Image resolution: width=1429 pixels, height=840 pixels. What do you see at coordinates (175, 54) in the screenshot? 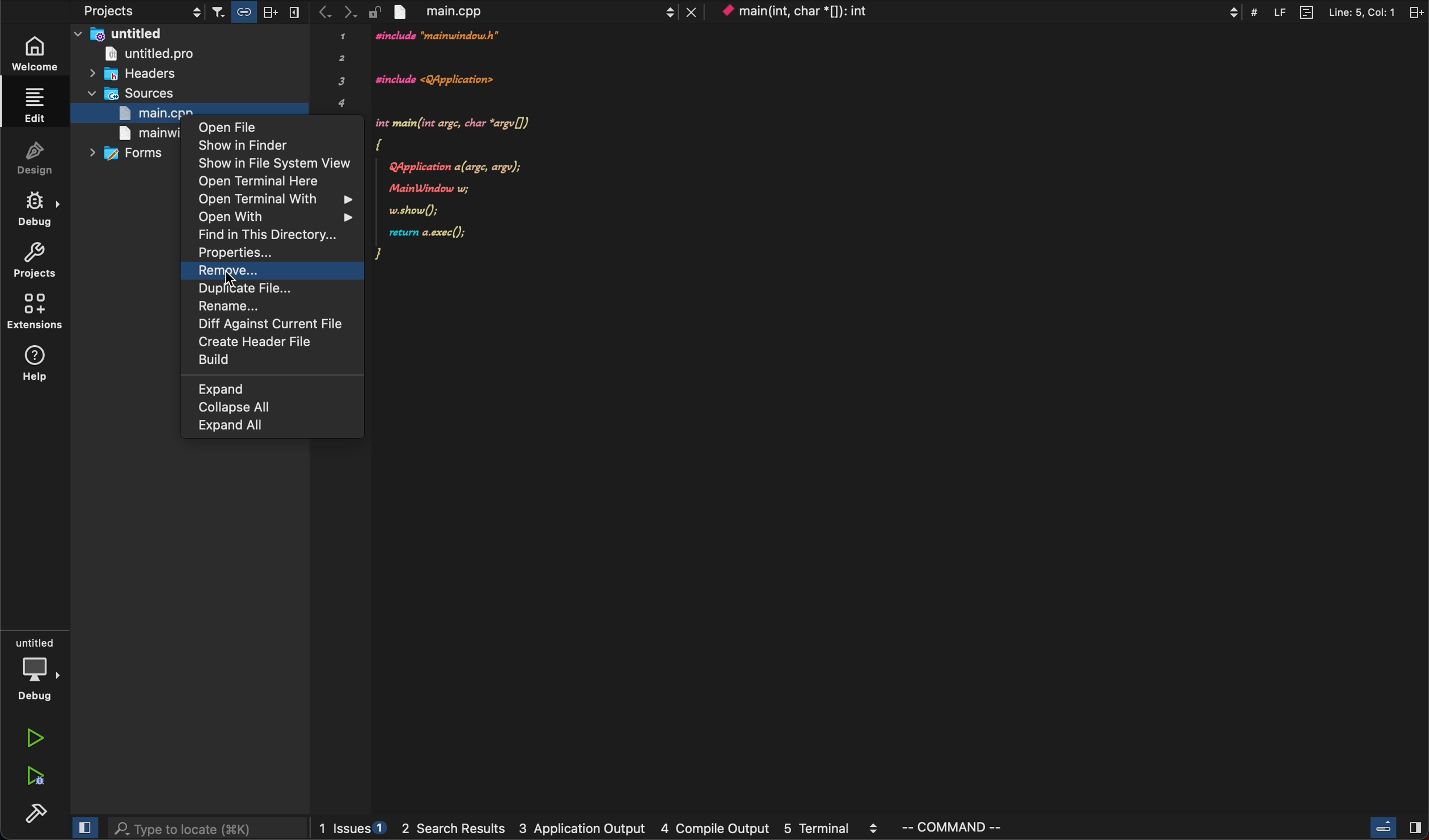
I see `untitled pro` at bounding box center [175, 54].